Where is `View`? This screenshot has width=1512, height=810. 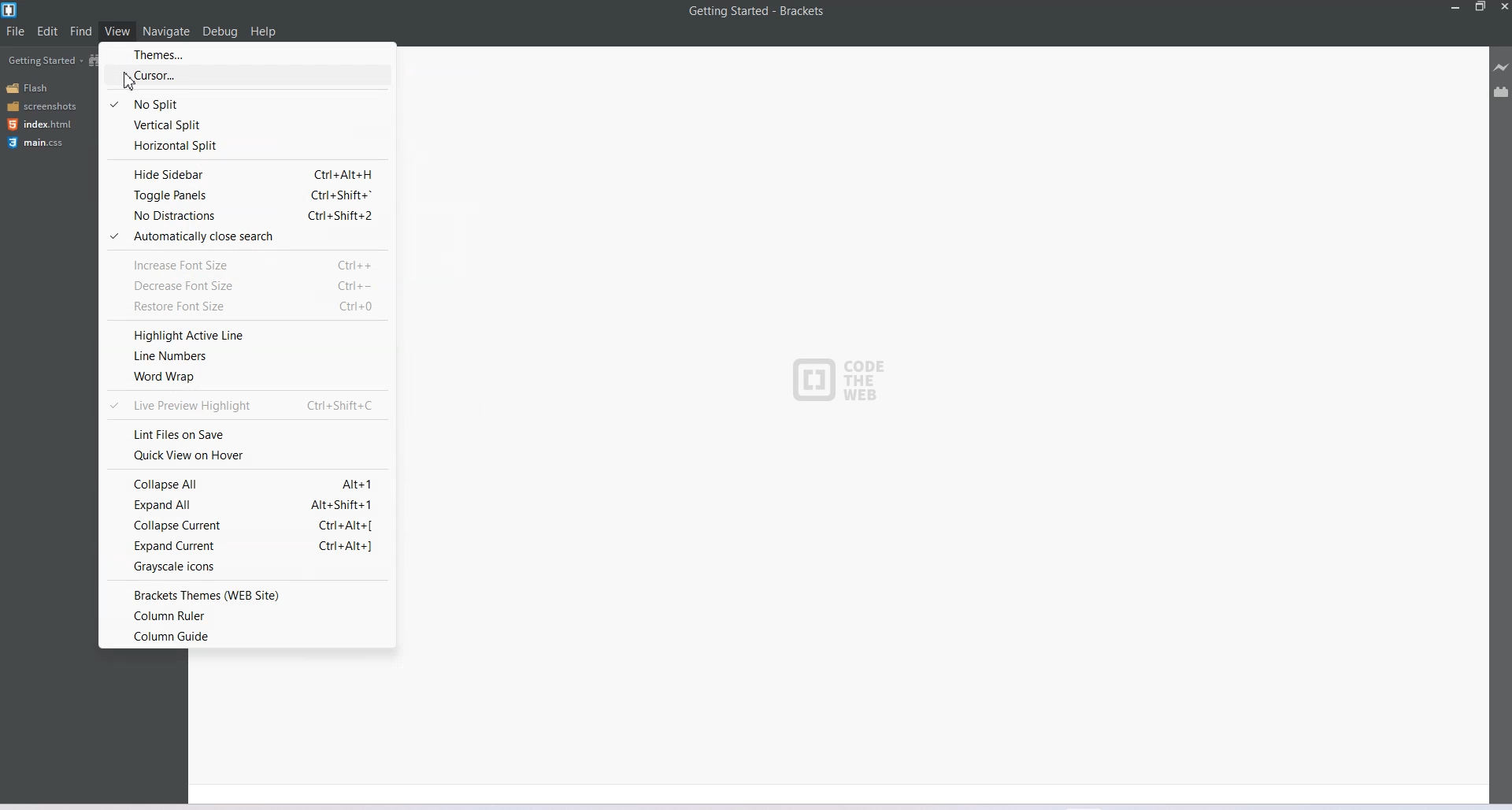 View is located at coordinates (117, 30).